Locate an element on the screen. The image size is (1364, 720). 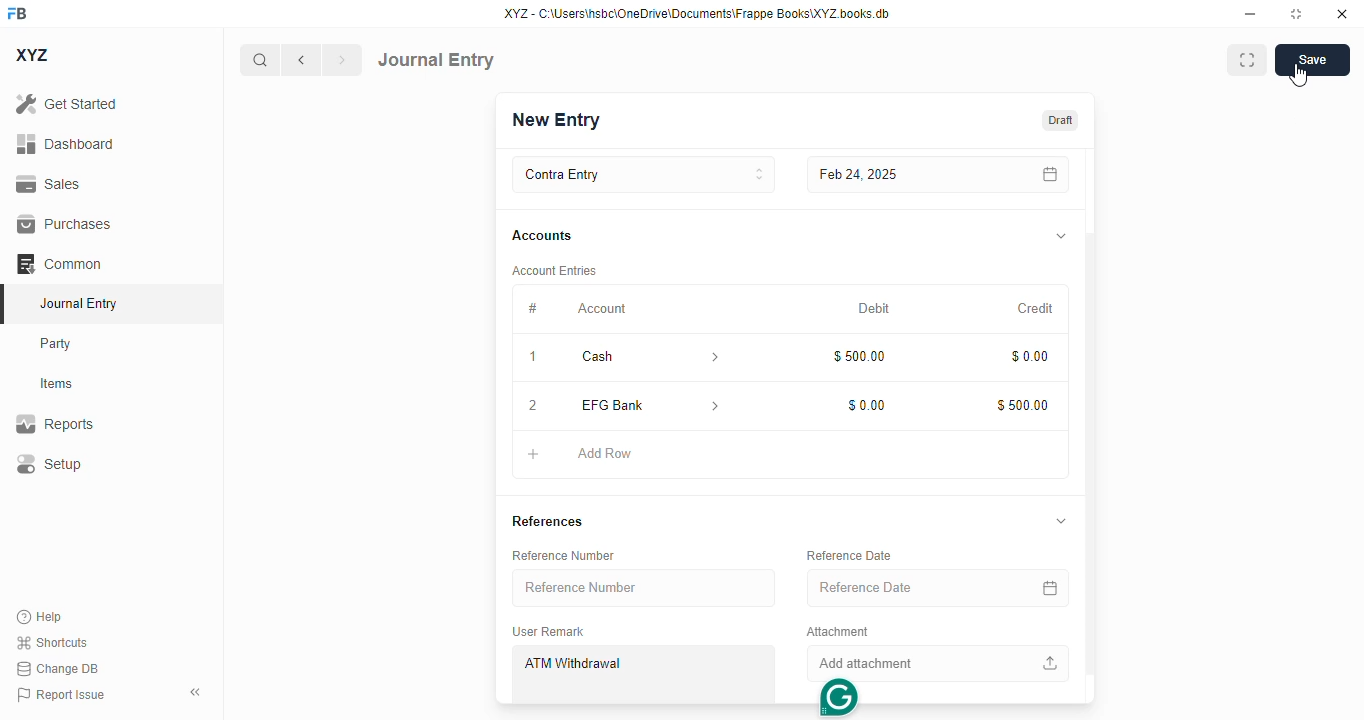
cash  is located at coordinates (621, 357).